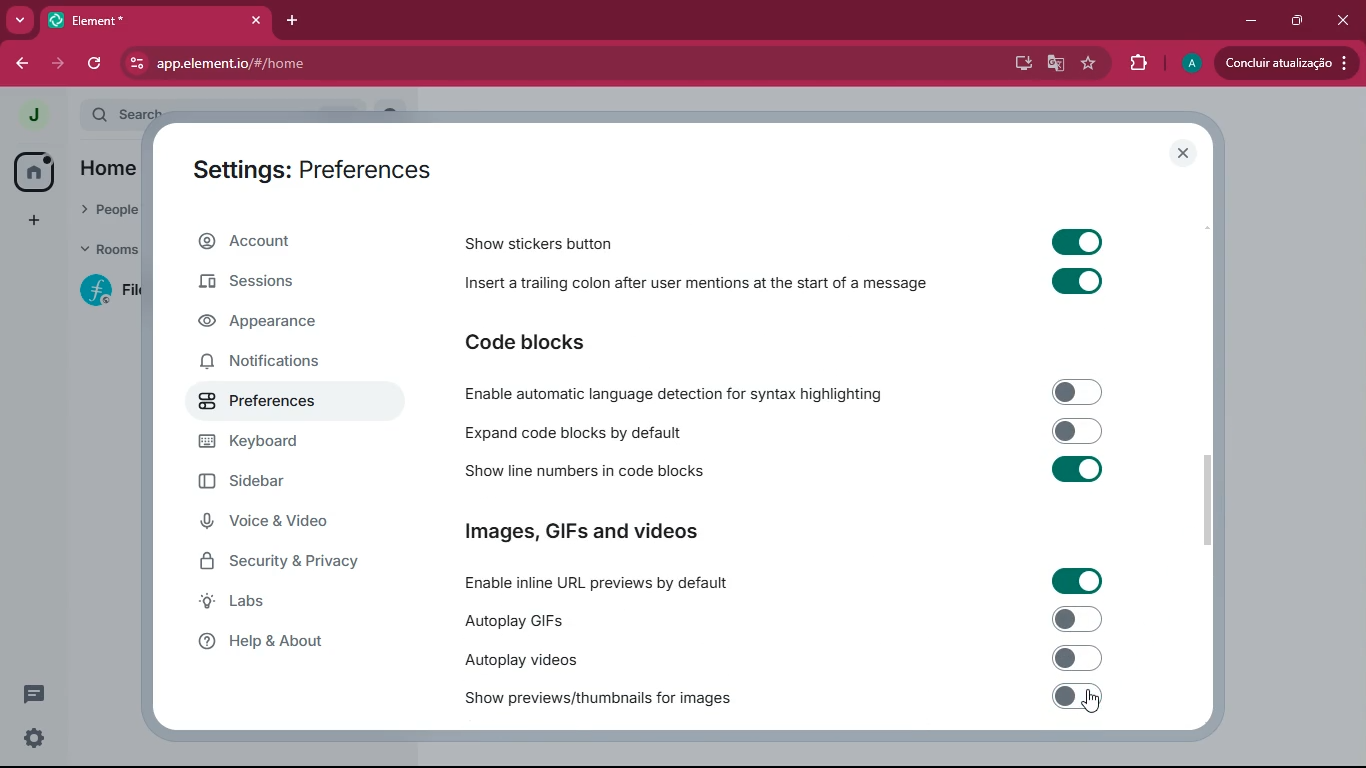  Describe the element at coordinates (37, 741) in the screenshot. I see `Settings` at that location.